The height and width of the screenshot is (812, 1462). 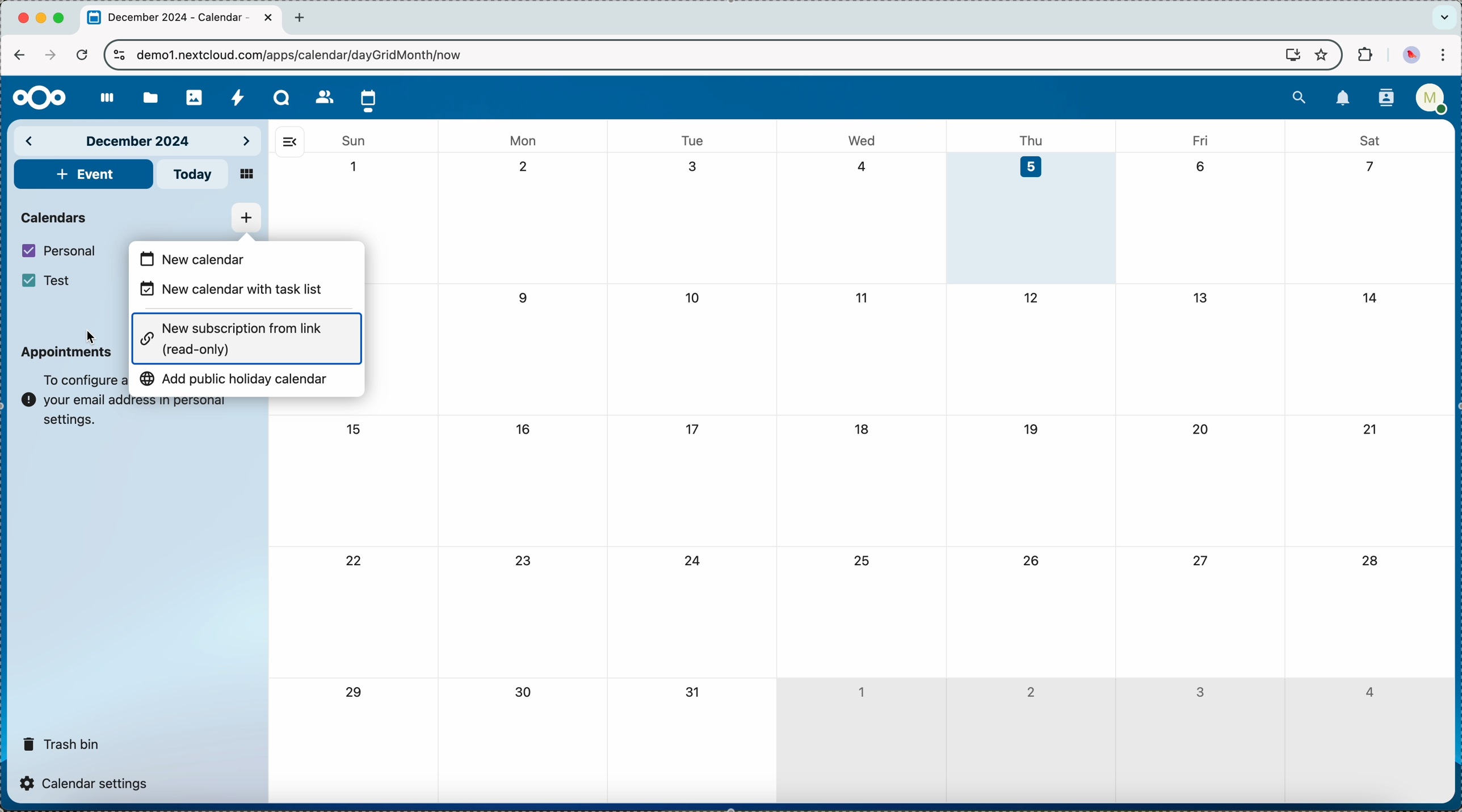 I want to click on trash bin, so click(x=62, y=740).